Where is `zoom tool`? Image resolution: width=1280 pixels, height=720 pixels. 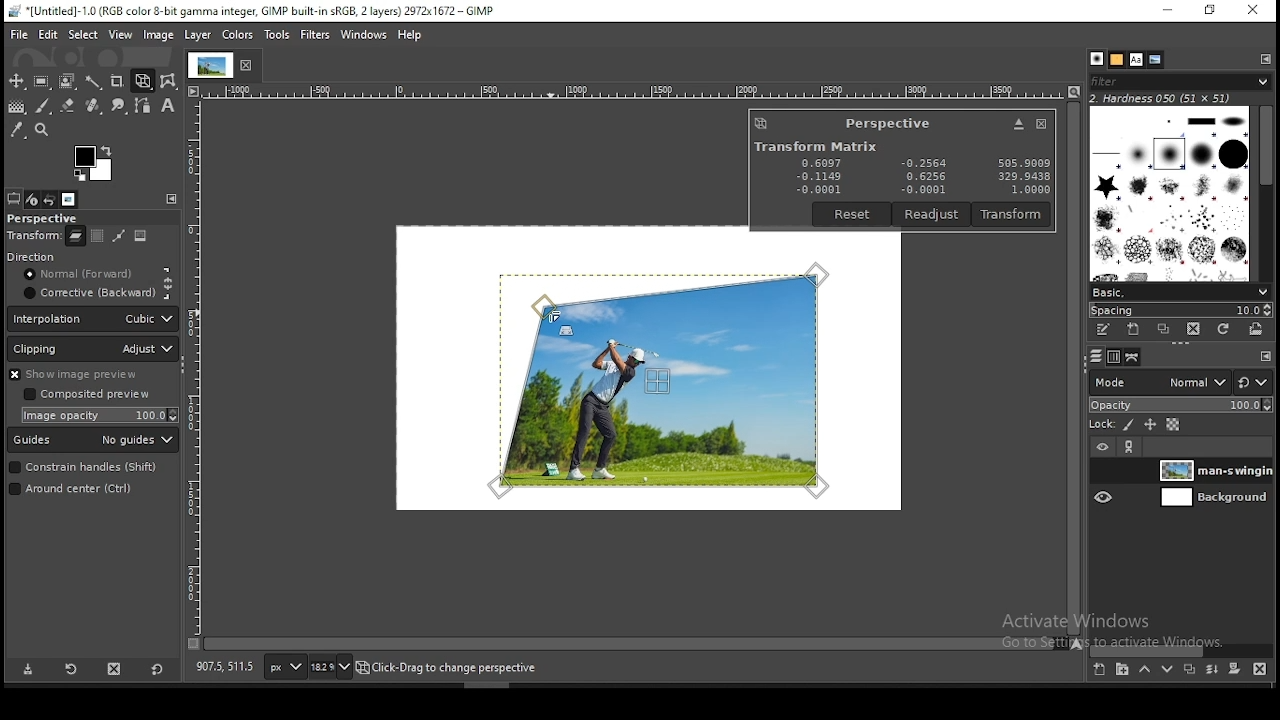
zoom tool is located at coordinates (42, 131).